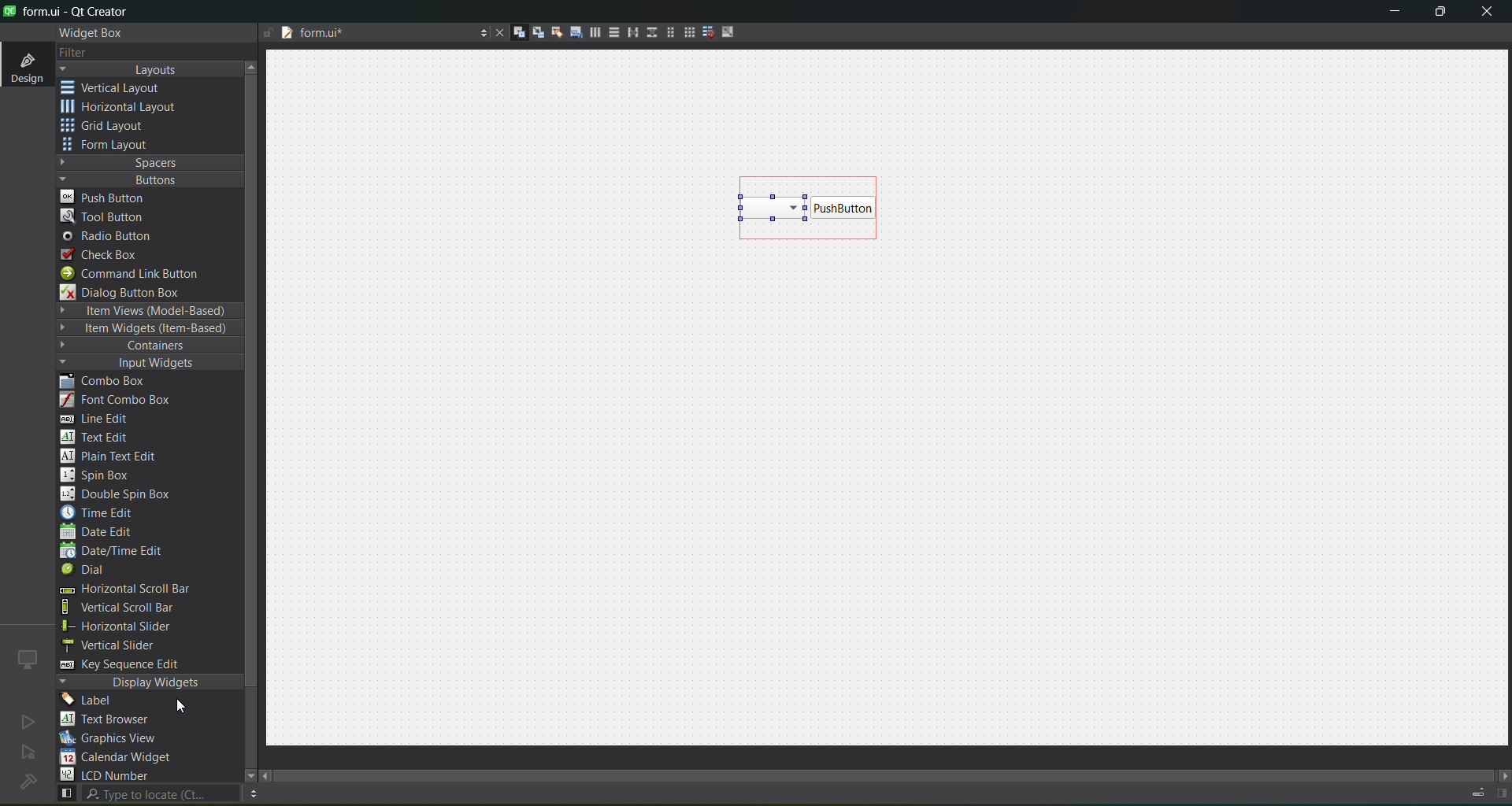  I want to click on close document, so click(496, 34).